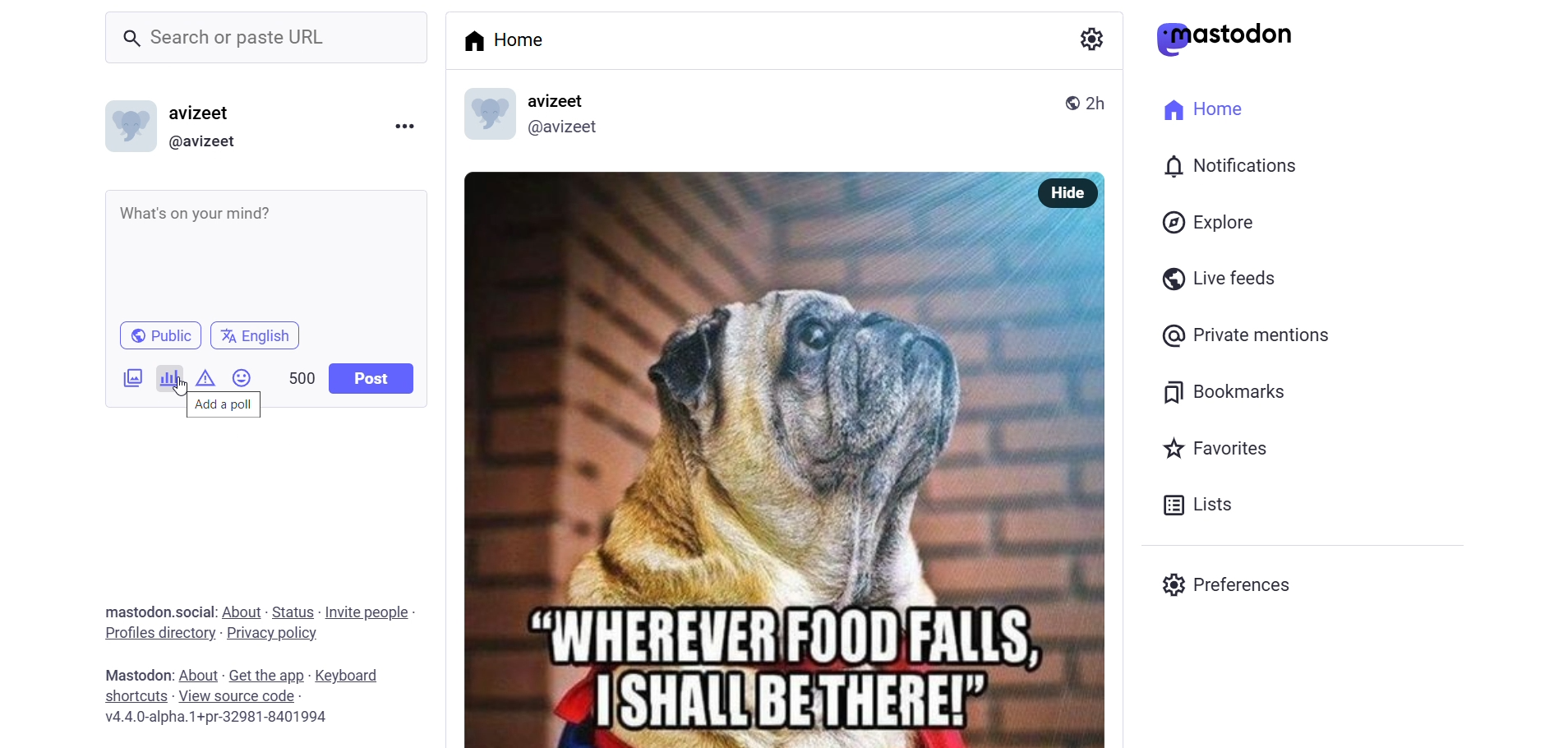  I want to click on 2h, so click(1102, 95).